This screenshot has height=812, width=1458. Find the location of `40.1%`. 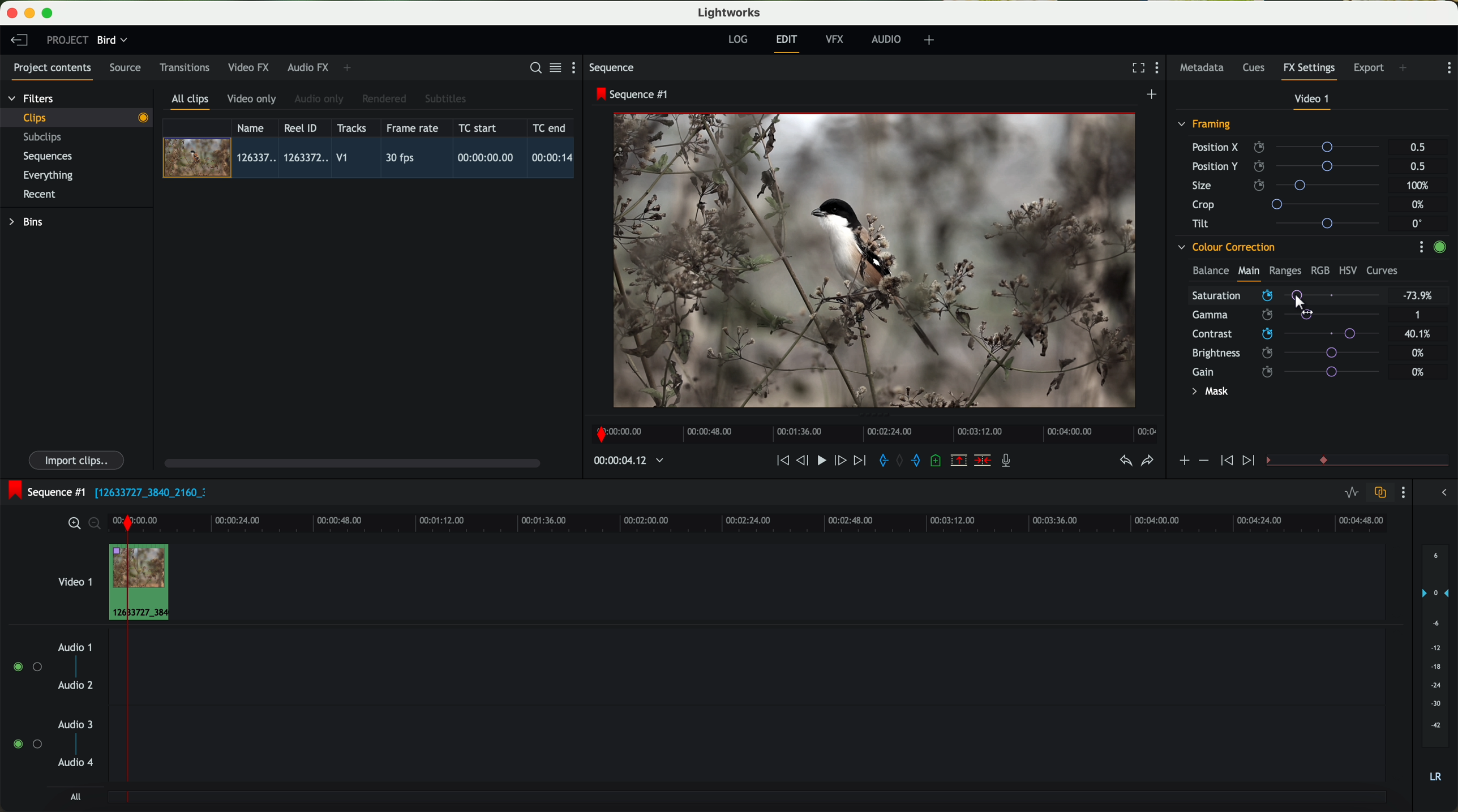

40.1% is located at coordinates (1421, 334).